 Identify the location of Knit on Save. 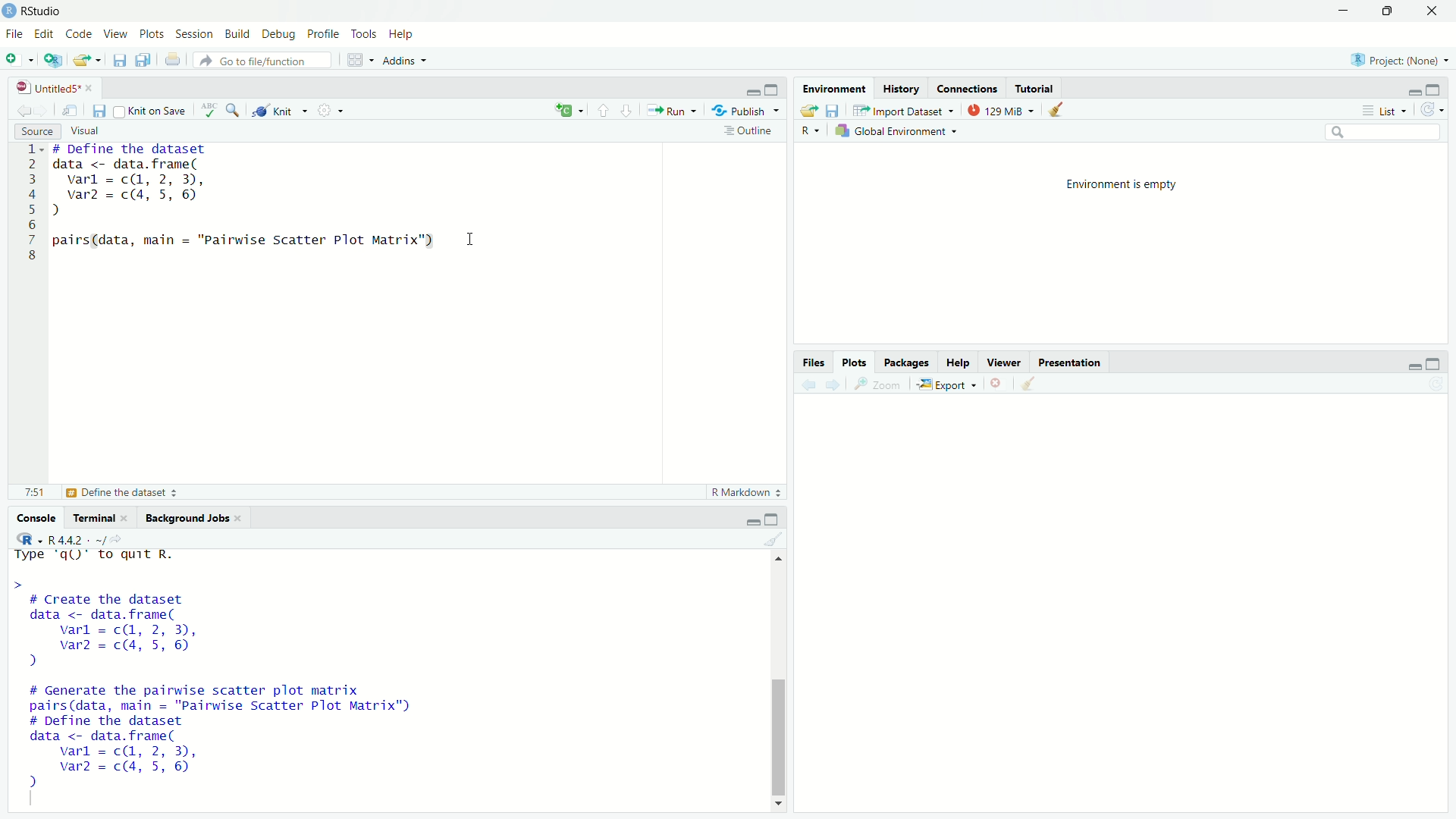
(154, 110).